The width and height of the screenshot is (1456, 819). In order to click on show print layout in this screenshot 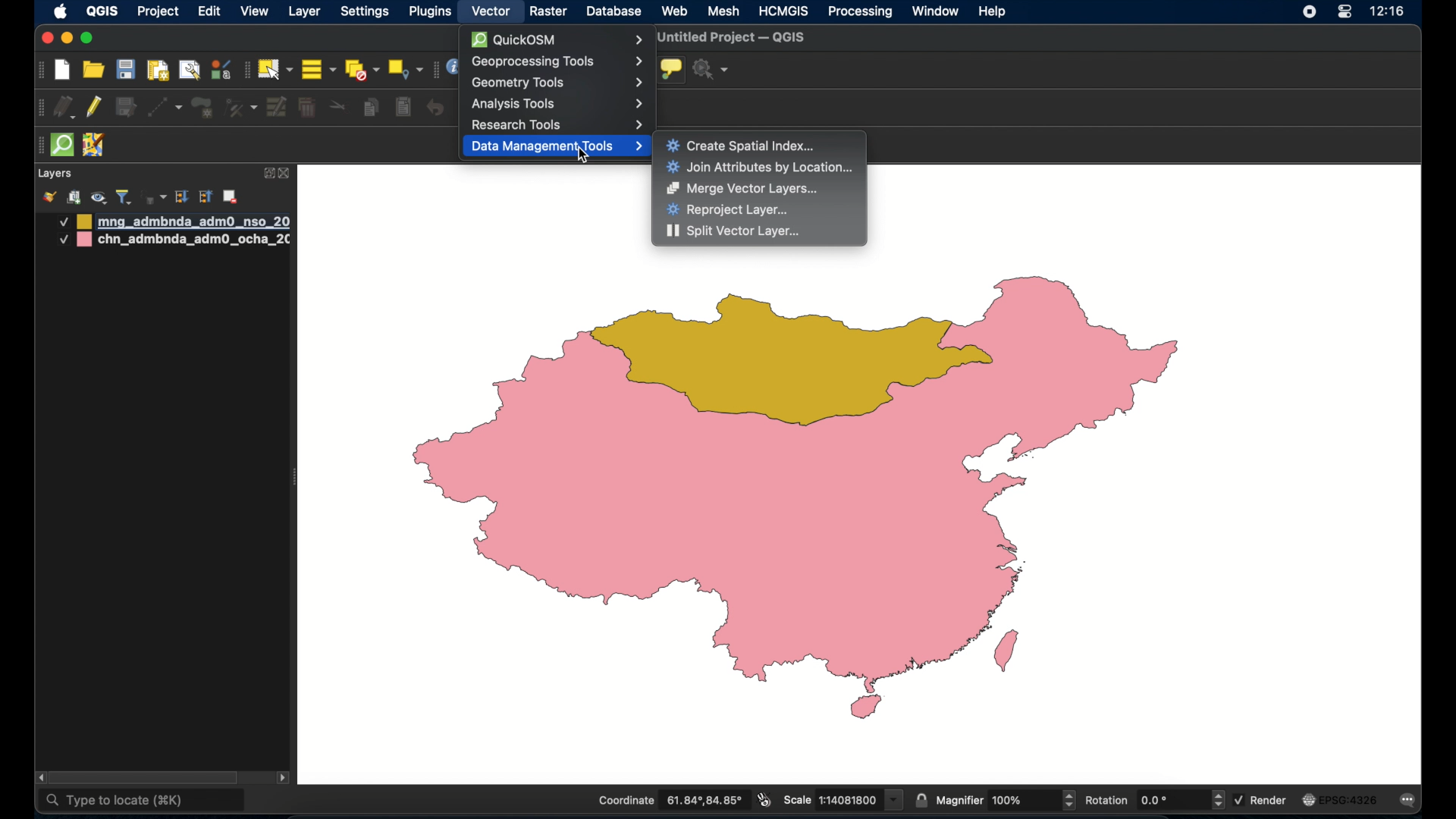, I will do `click(156, 70)`.